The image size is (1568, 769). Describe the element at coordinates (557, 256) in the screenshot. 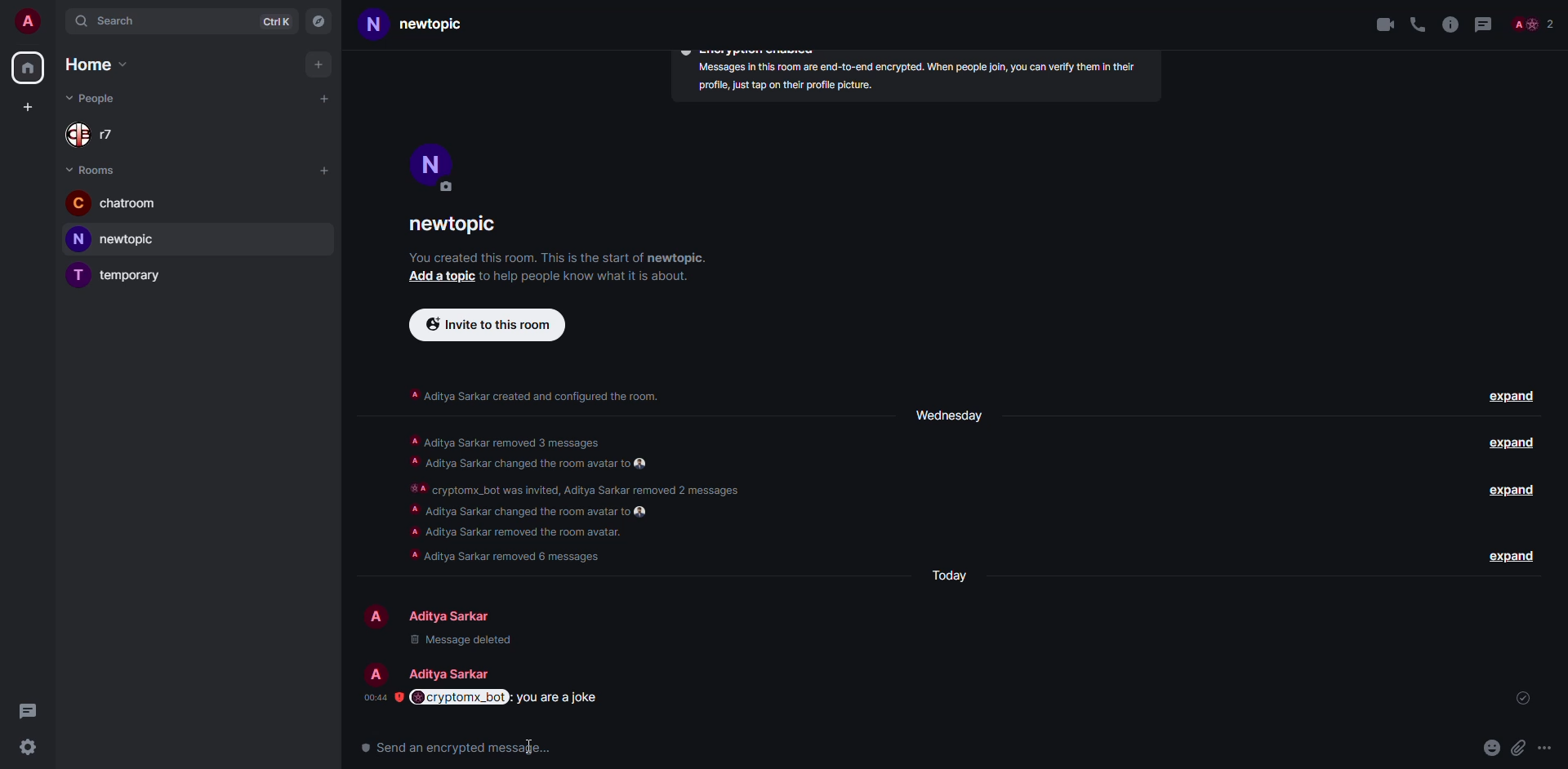

I see `info` at that location.